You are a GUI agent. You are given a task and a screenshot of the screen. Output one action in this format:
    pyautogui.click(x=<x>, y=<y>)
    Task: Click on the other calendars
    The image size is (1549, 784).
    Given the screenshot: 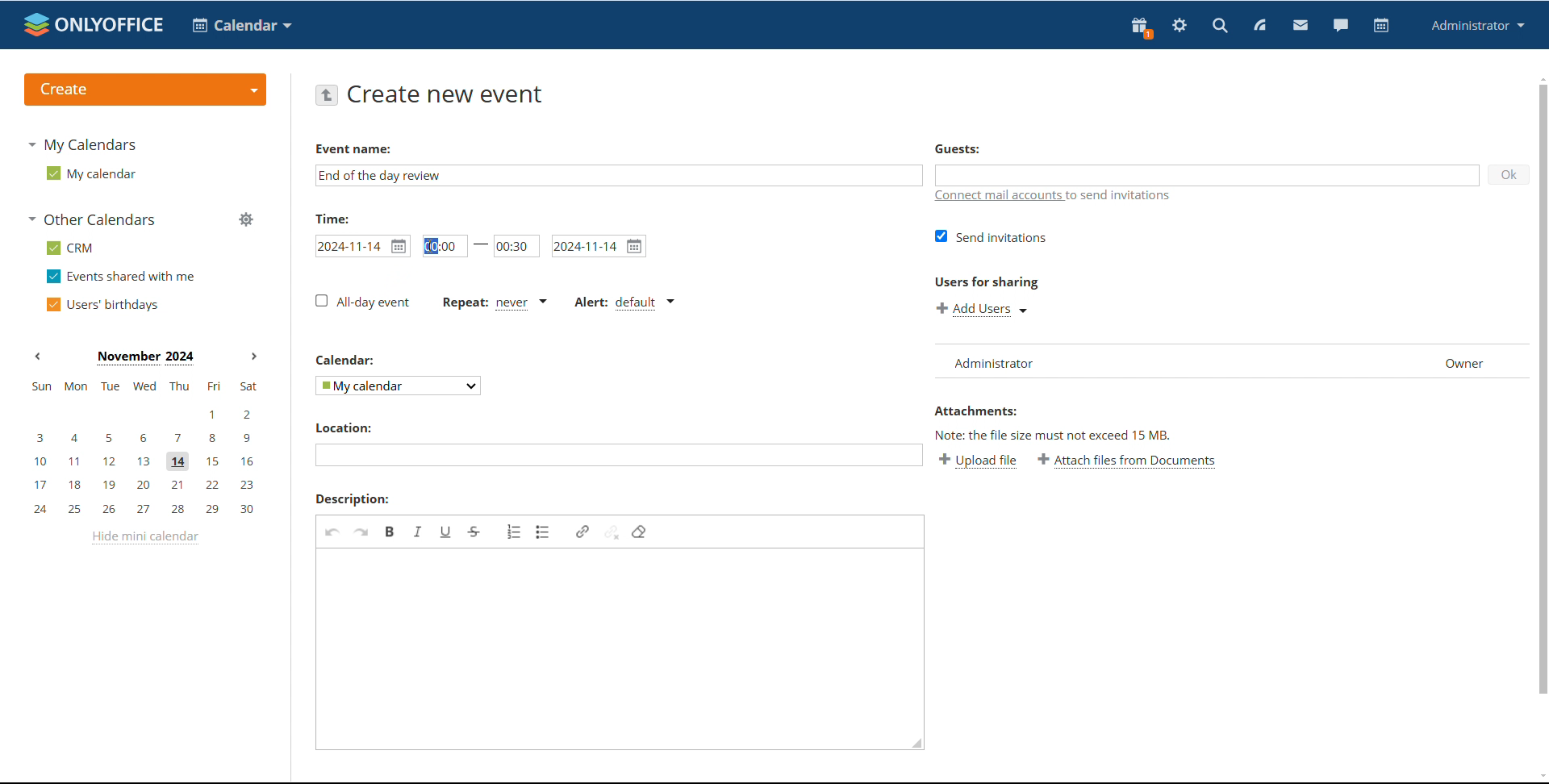 What is the action you would take?
    pyautogui.click(x=94, y=219)
    